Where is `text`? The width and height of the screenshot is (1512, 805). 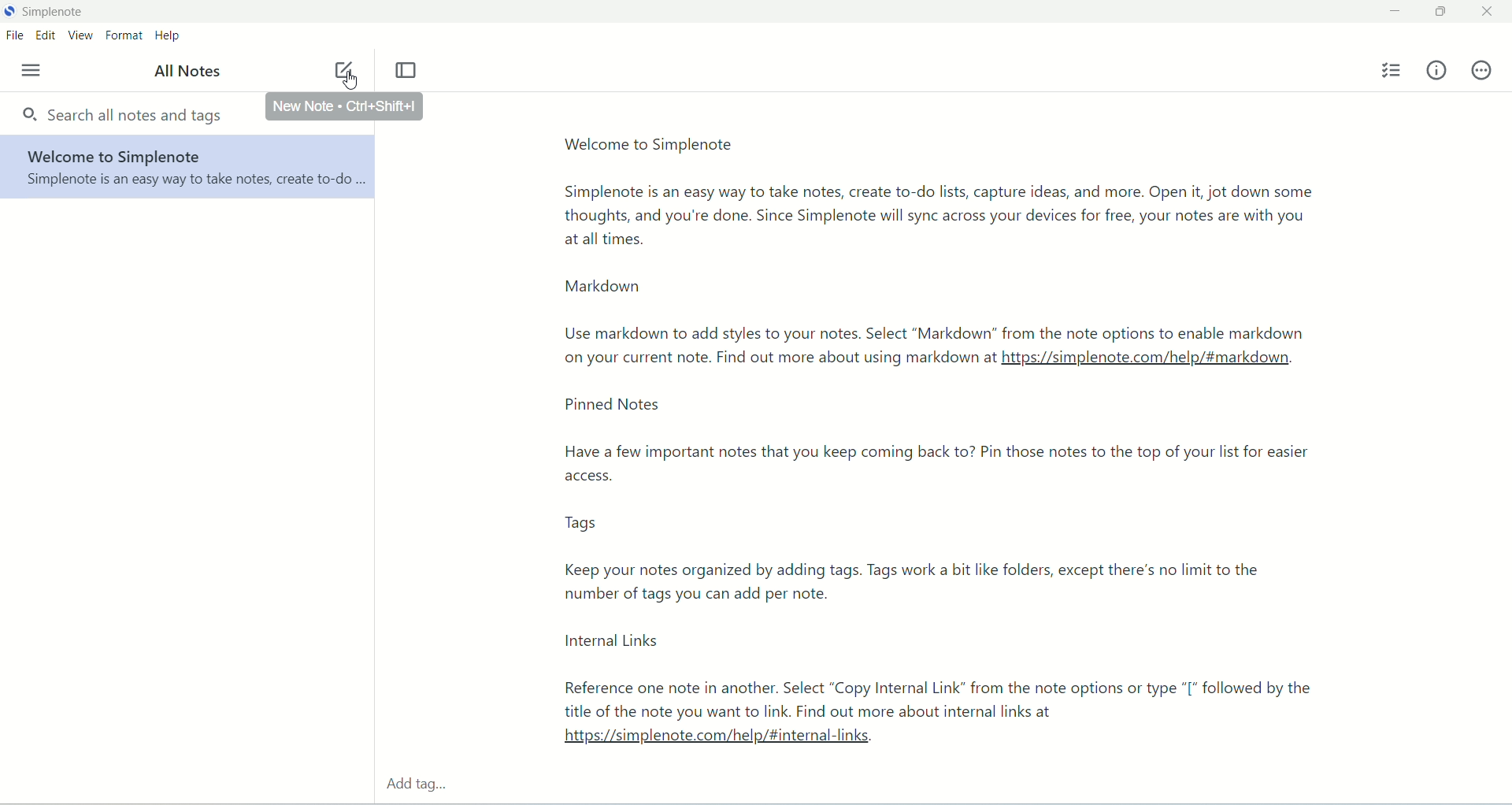
text is located at coordinates (927, 434).